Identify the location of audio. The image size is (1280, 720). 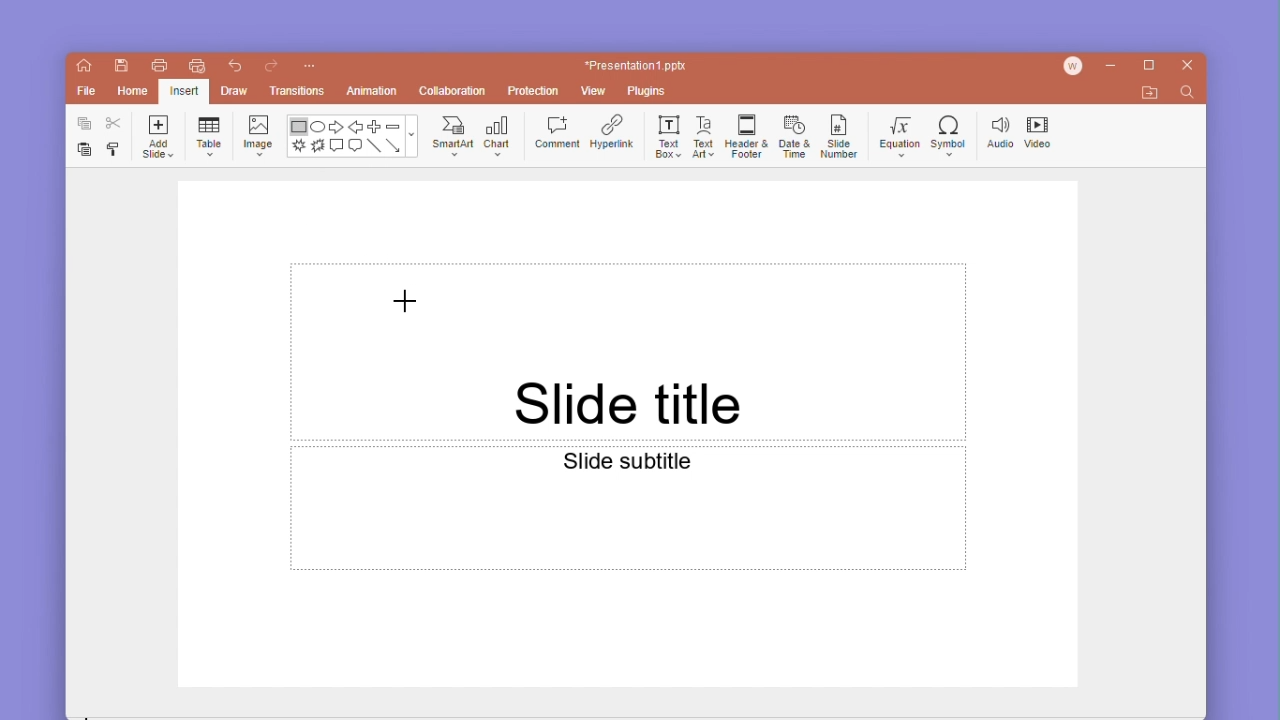
(997, 129).